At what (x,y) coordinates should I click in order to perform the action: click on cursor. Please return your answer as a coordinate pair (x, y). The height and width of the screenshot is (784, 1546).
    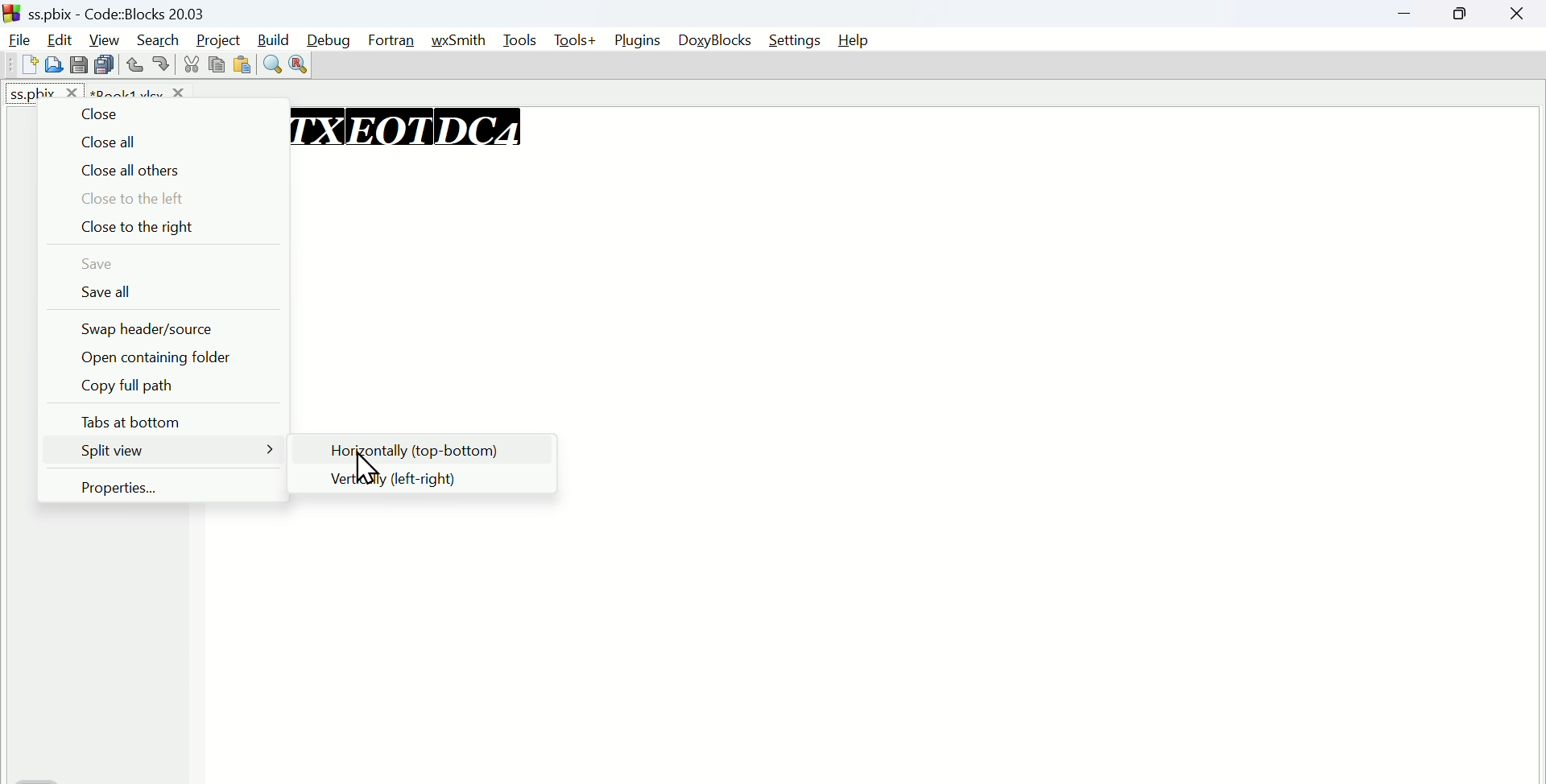
    Looking at the image, I should click on (367, 468).